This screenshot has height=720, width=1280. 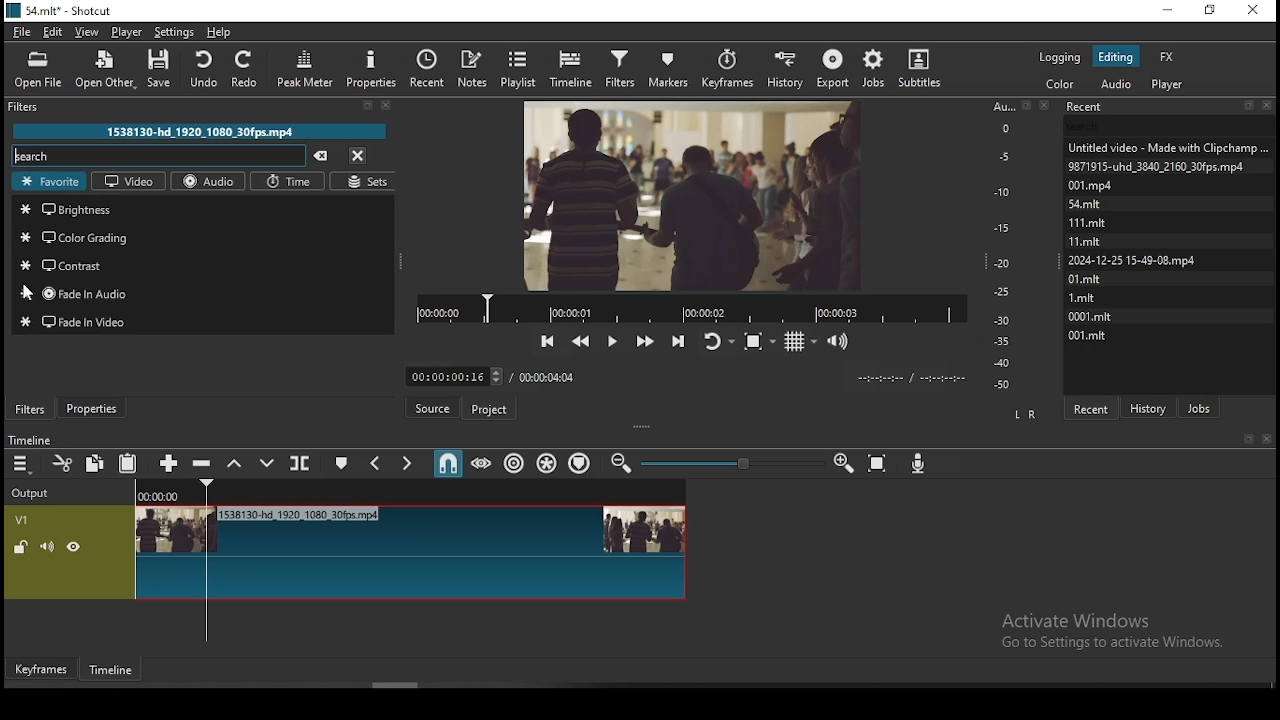 I want to click on 01.mit, so click(x=1086, y=278).